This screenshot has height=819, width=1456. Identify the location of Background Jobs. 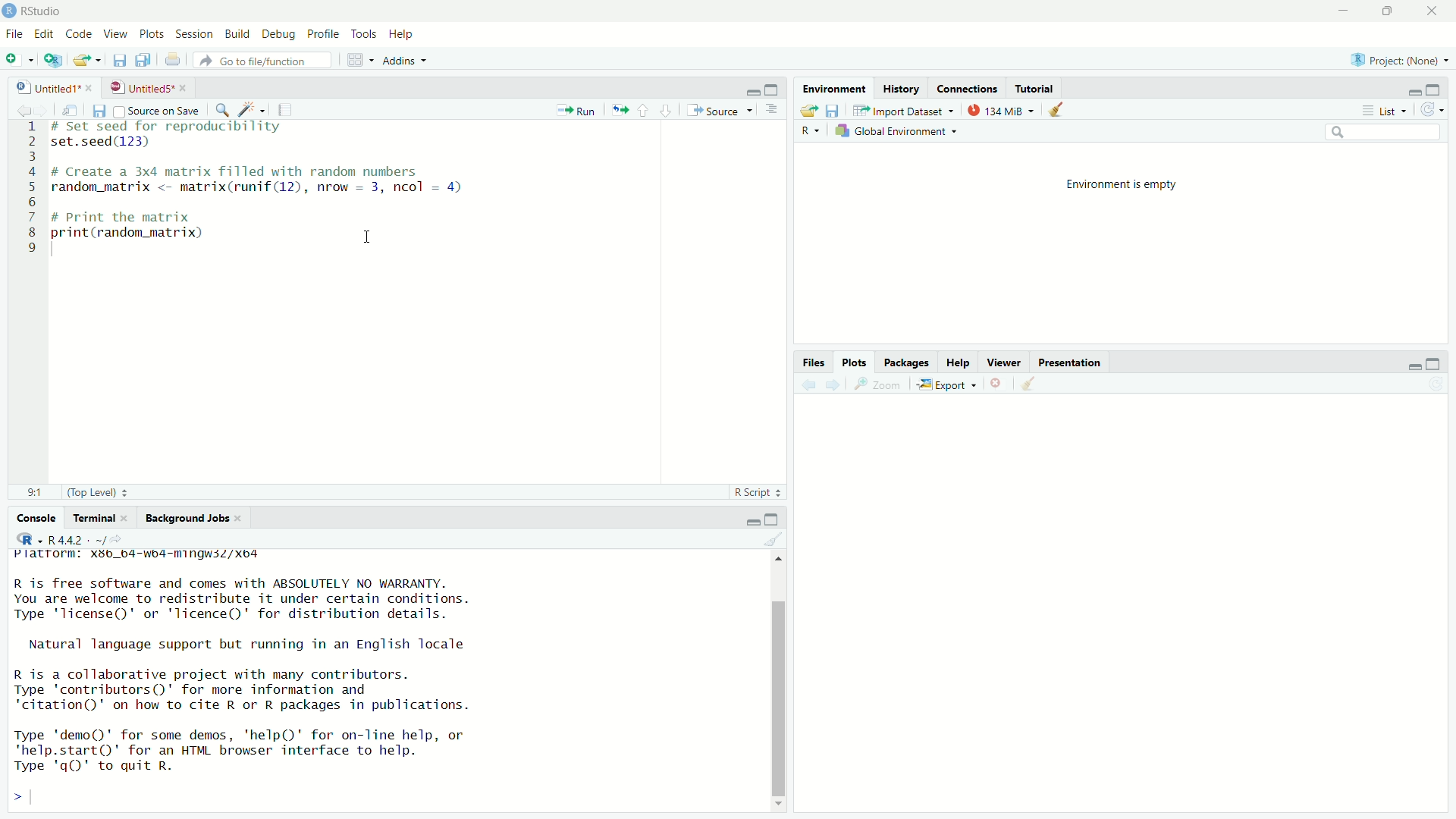
(194, 518).